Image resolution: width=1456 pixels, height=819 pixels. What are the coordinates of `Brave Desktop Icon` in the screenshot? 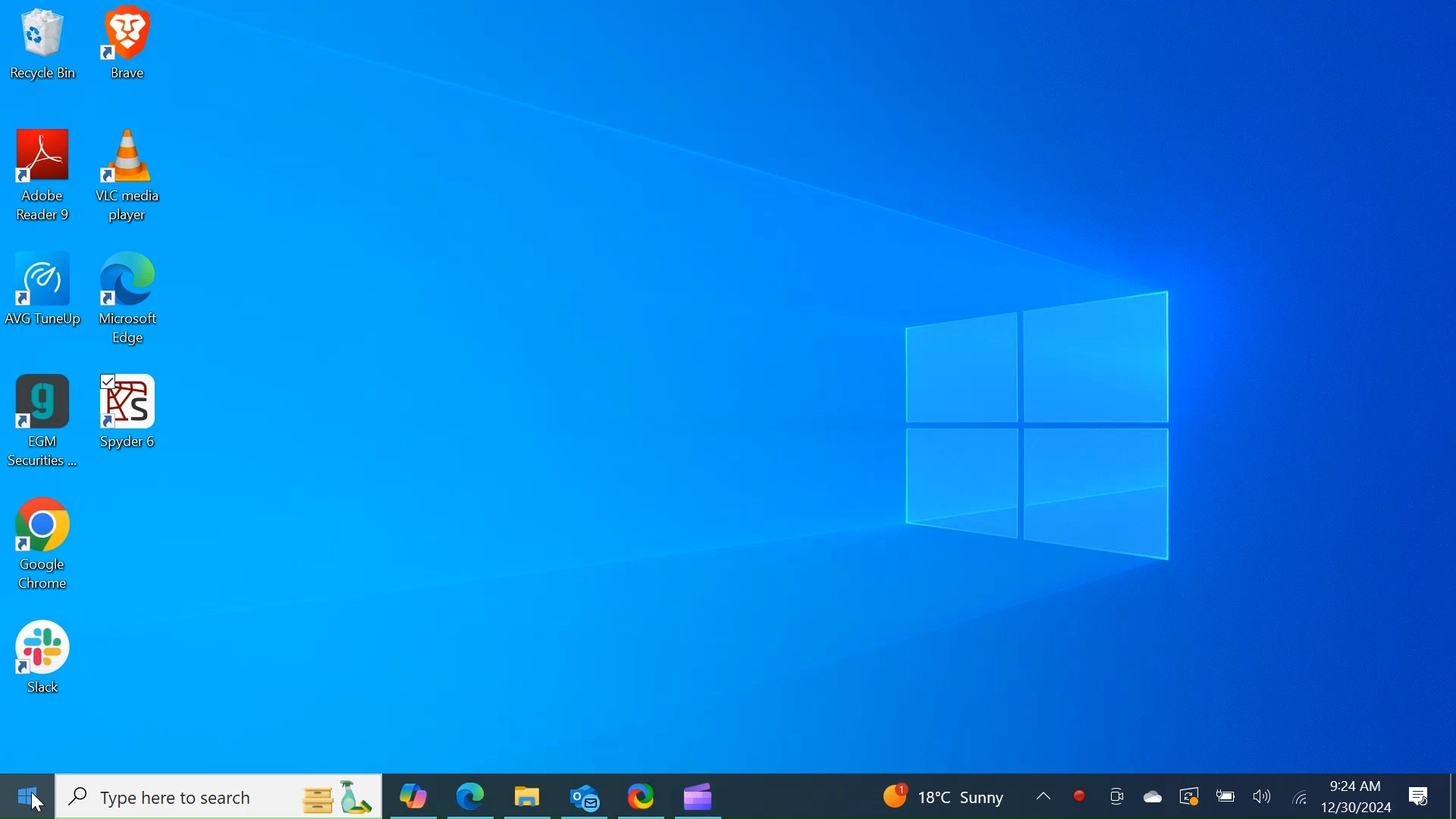 It's located at (133, 49).